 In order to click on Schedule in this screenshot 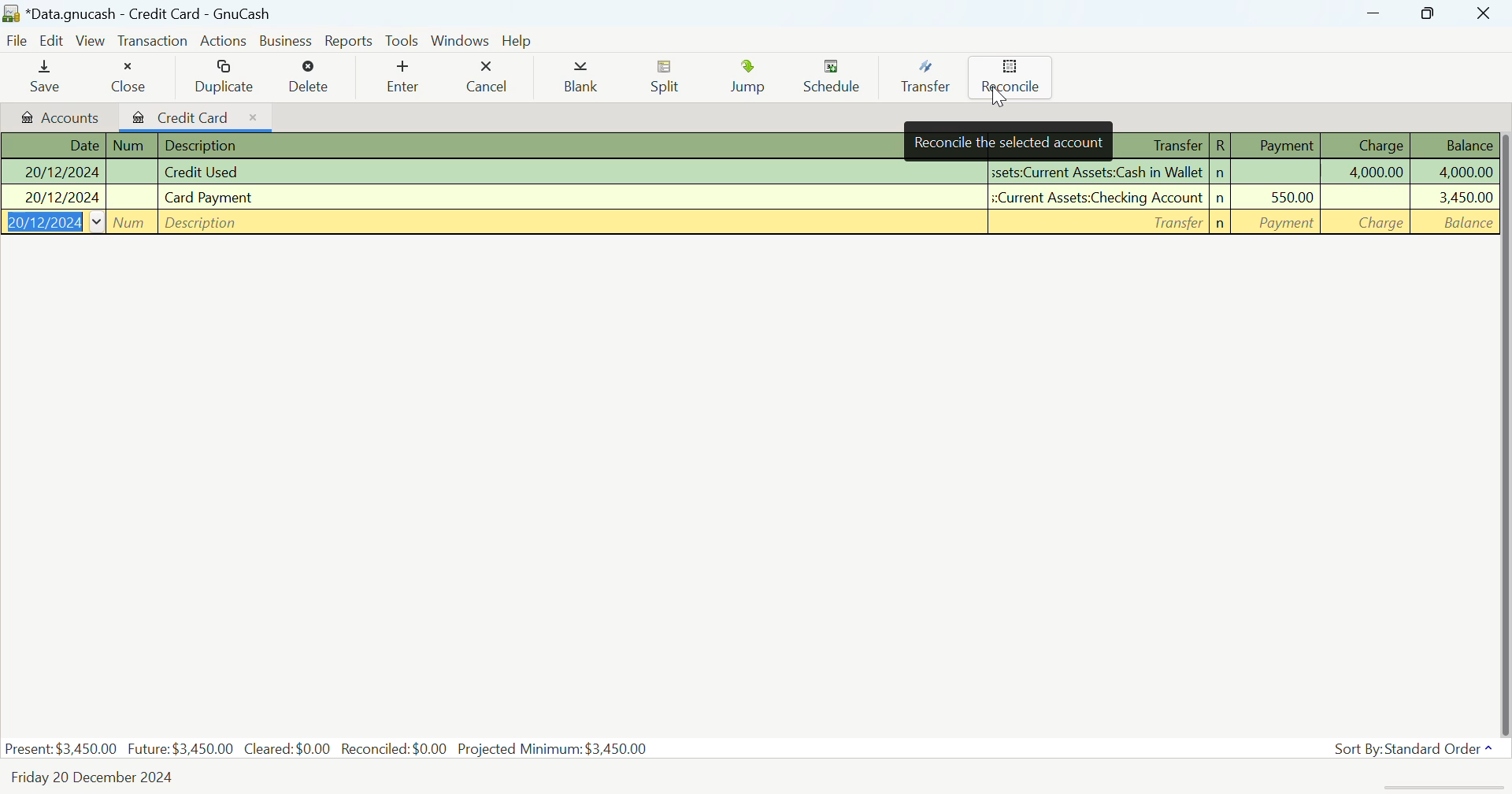, I will do `click(832, 81)`.